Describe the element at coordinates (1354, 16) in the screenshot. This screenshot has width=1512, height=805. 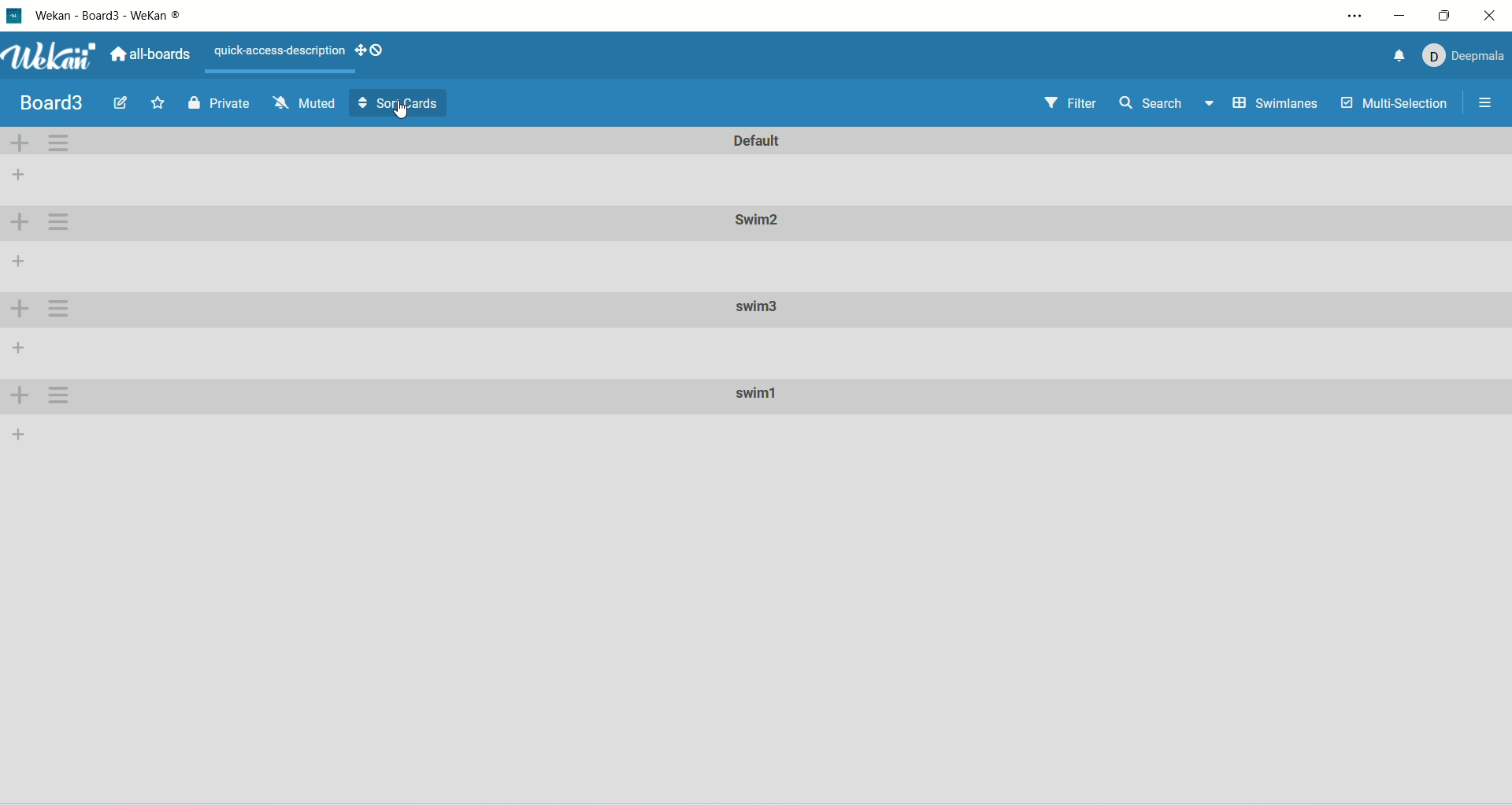
I see `settings and more` at that location.